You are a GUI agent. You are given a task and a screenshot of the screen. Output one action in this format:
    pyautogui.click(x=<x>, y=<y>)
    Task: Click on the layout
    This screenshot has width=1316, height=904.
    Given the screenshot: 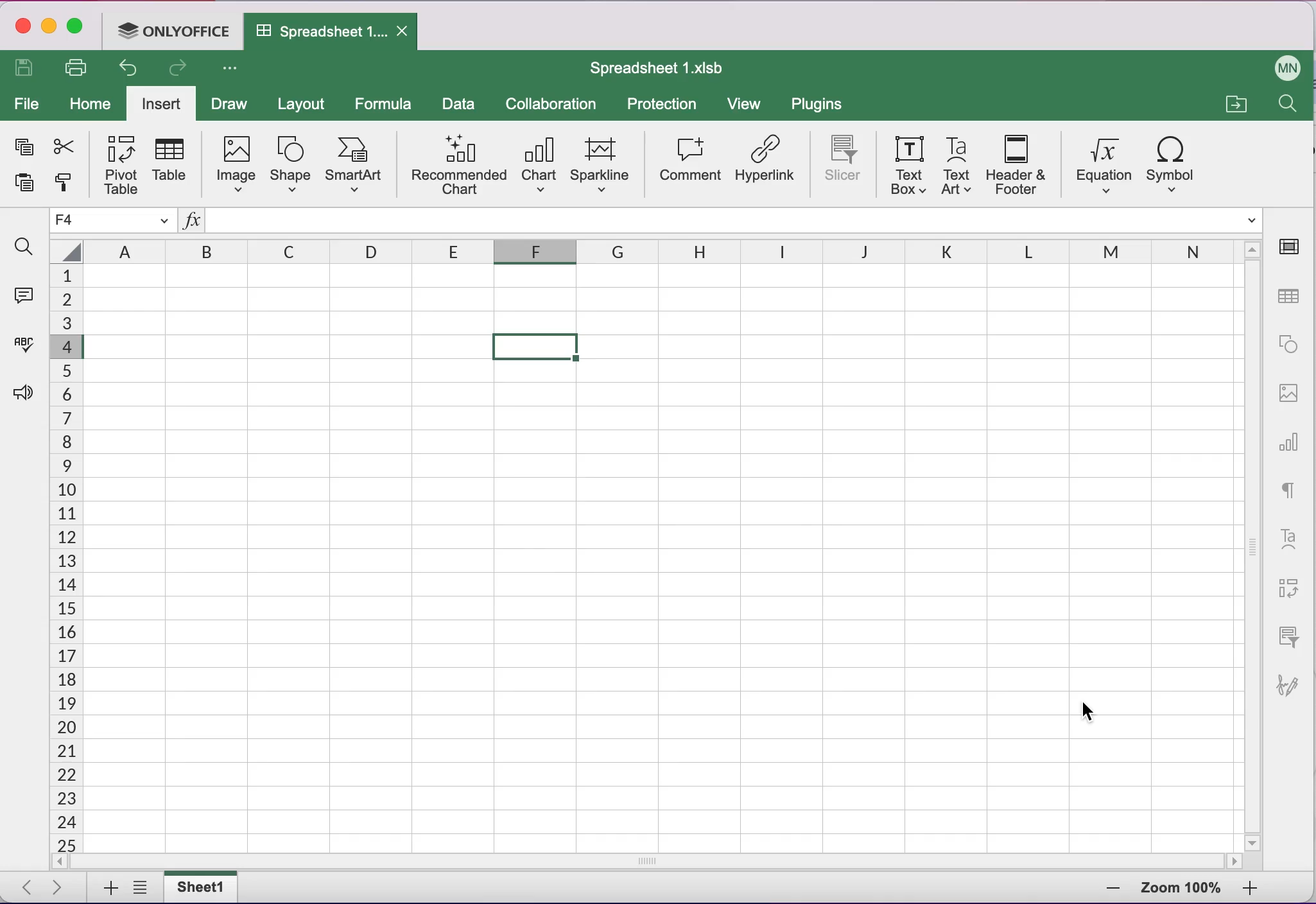 What is the action you would take?
    pyautogui.click(x=305, y=105)
    